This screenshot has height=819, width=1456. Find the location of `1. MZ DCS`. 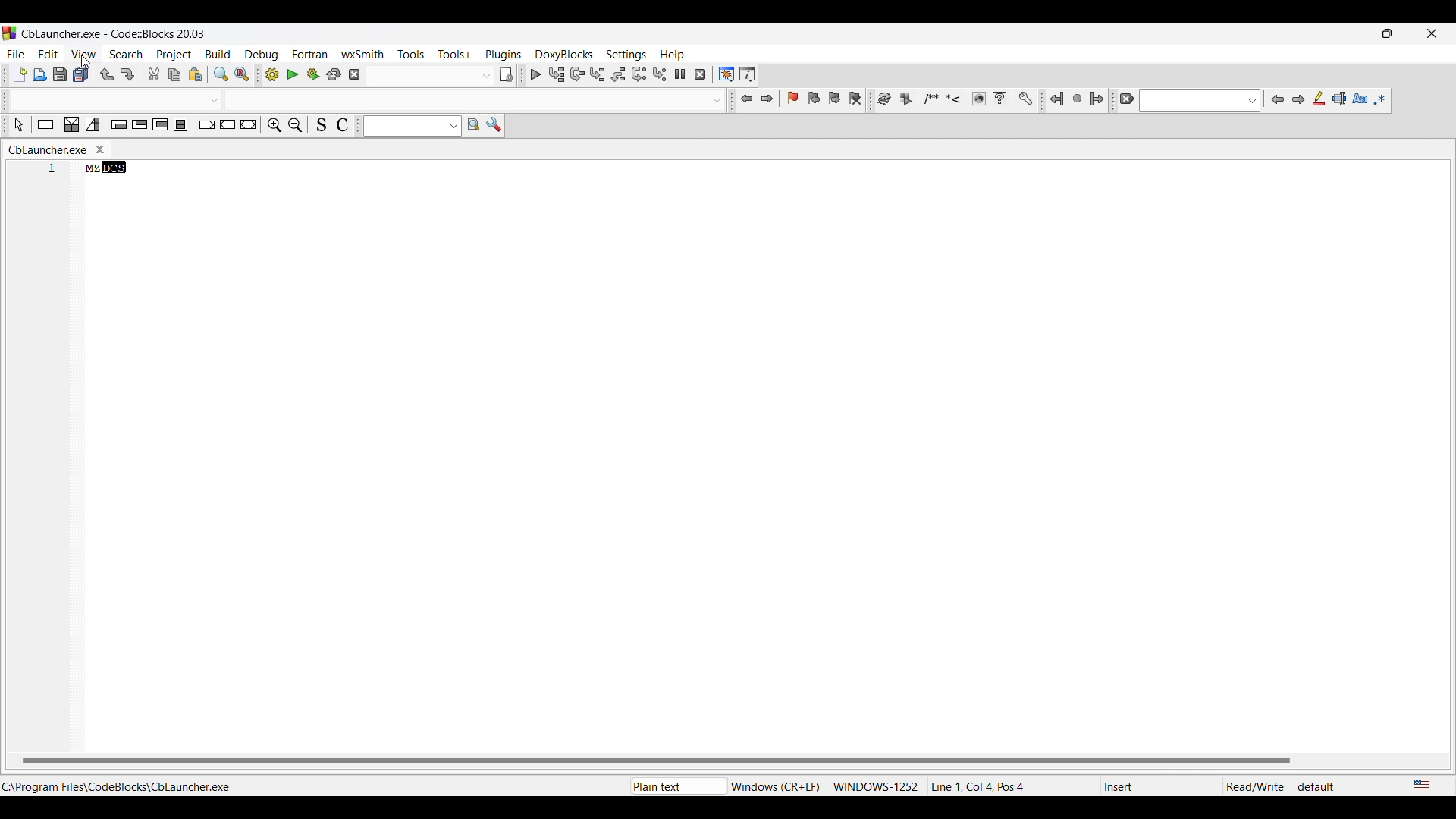

1. MZ DCS is located at coordinates (92, 170).